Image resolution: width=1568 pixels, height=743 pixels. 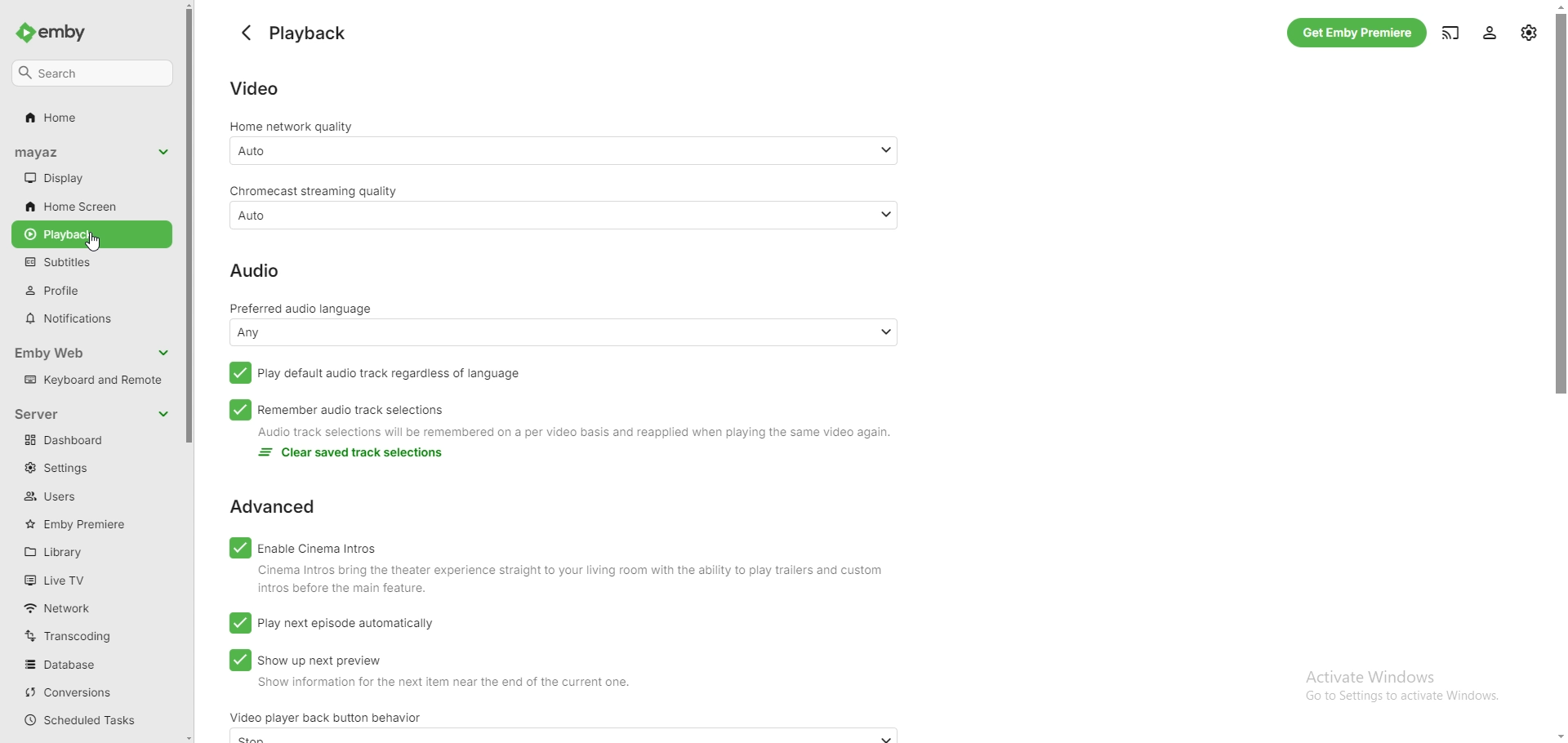 I want to click on Cinema Intros bring the theater experience straight to your living room with the ability to play trailers and customintros before the main feature., so click(x=567, y=581).